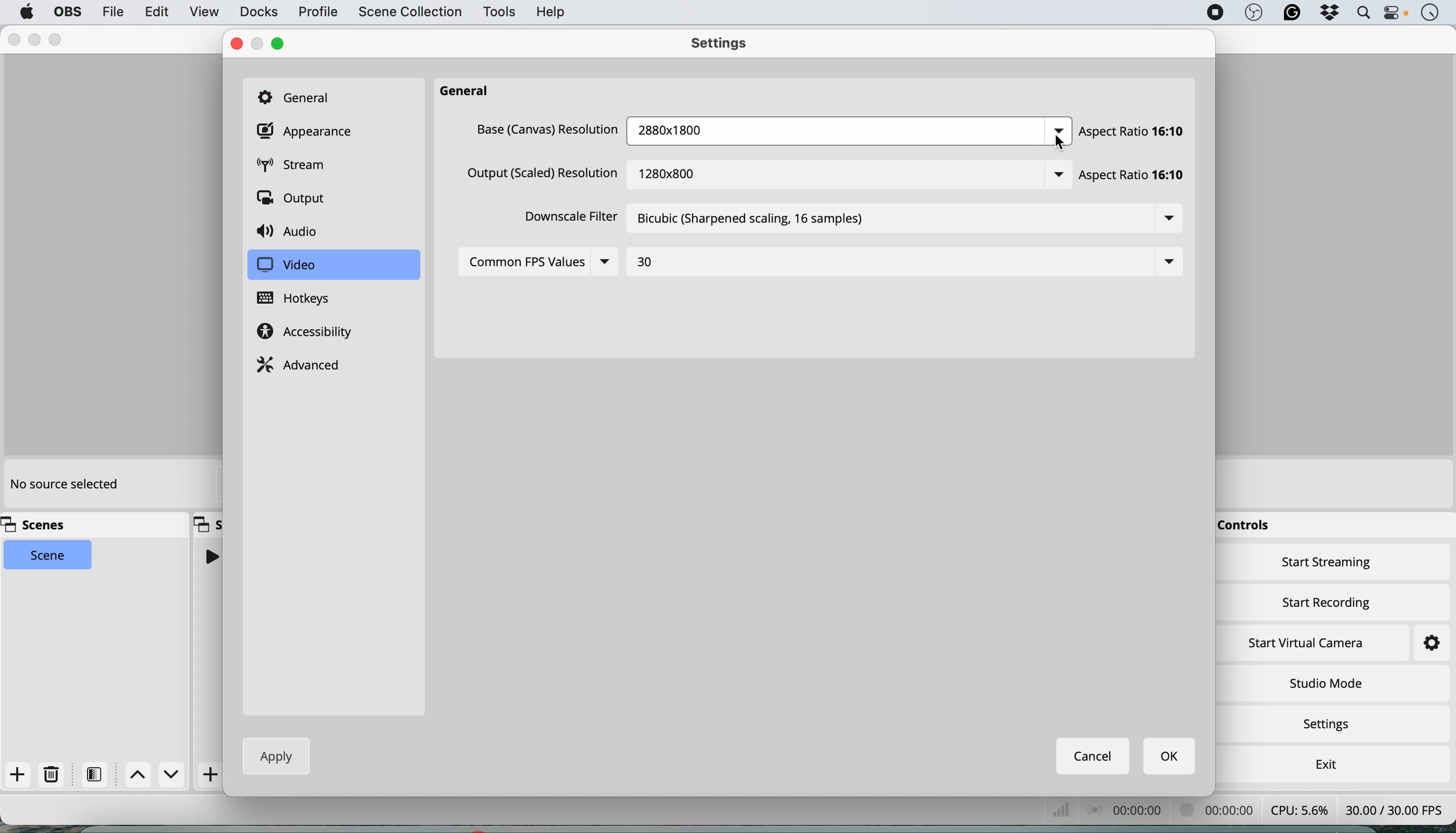 This screenshot has height=833, width=1456. Describe the element at coordinates (1073, 810) in the screenshot. I see `cpu usage` at that location.